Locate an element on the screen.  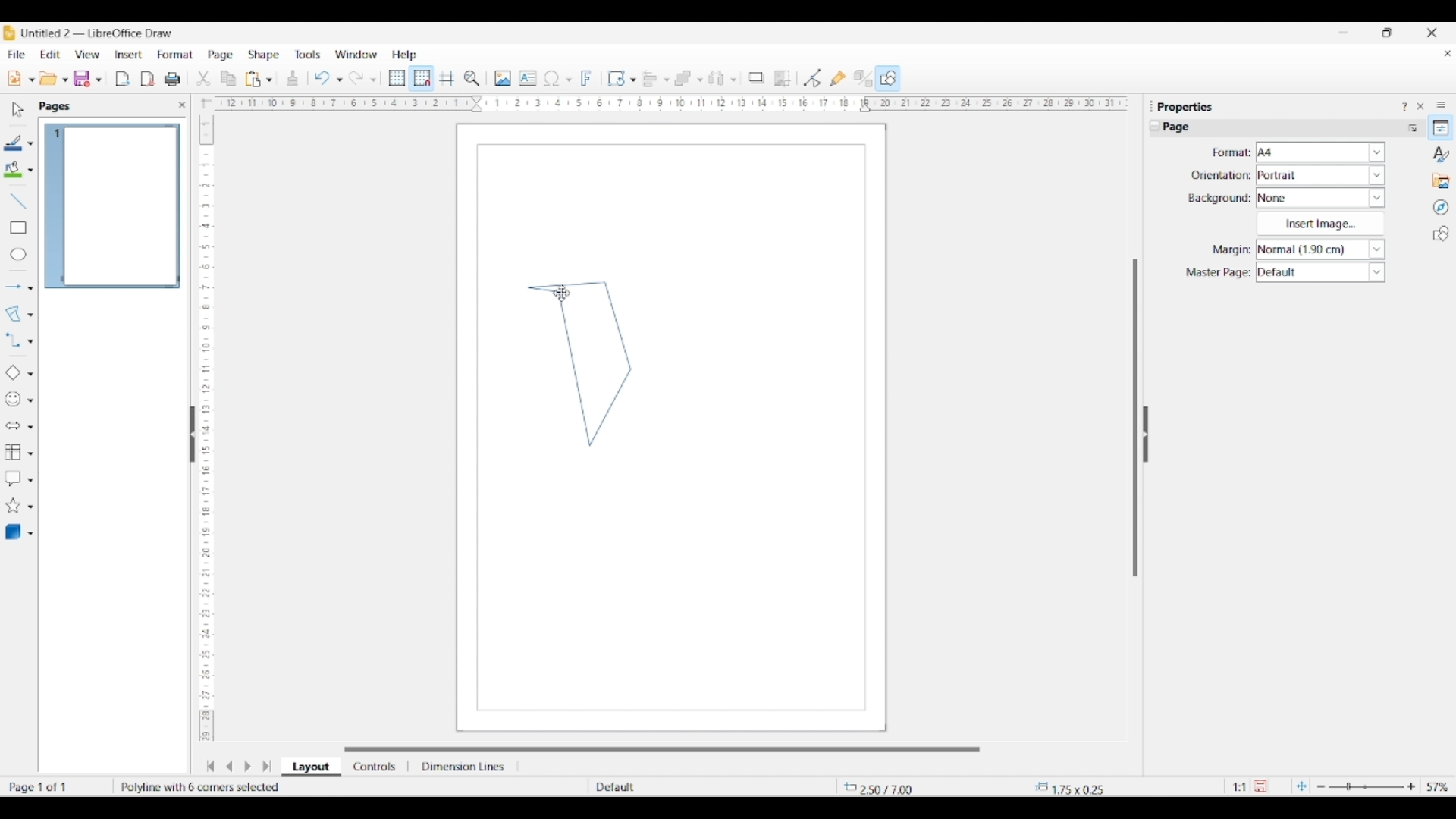
Line color options is located at coordinates (30, 144).